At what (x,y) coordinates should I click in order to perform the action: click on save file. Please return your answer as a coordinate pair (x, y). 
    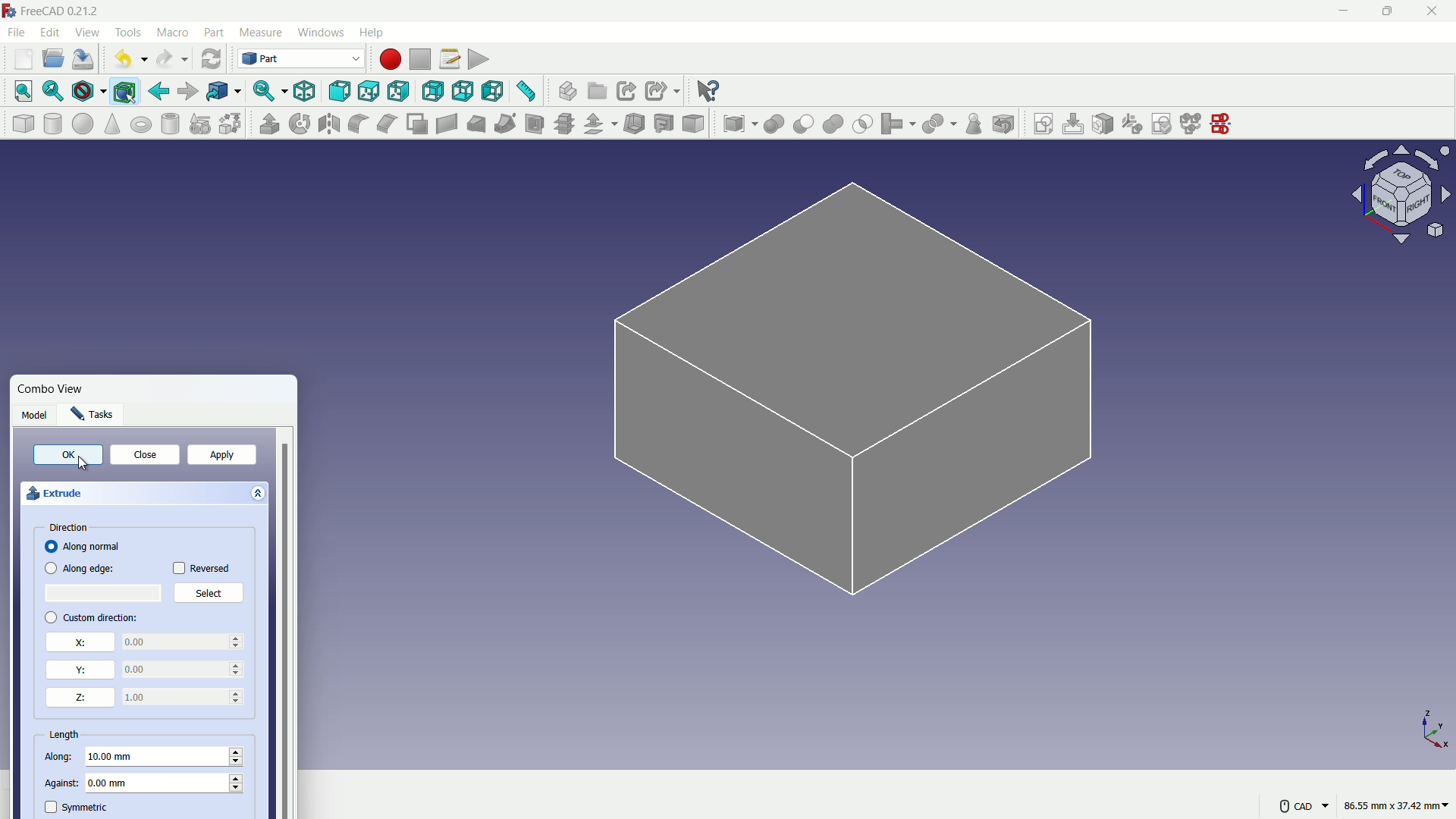
    Looking at the image, I should click on (83, 60).